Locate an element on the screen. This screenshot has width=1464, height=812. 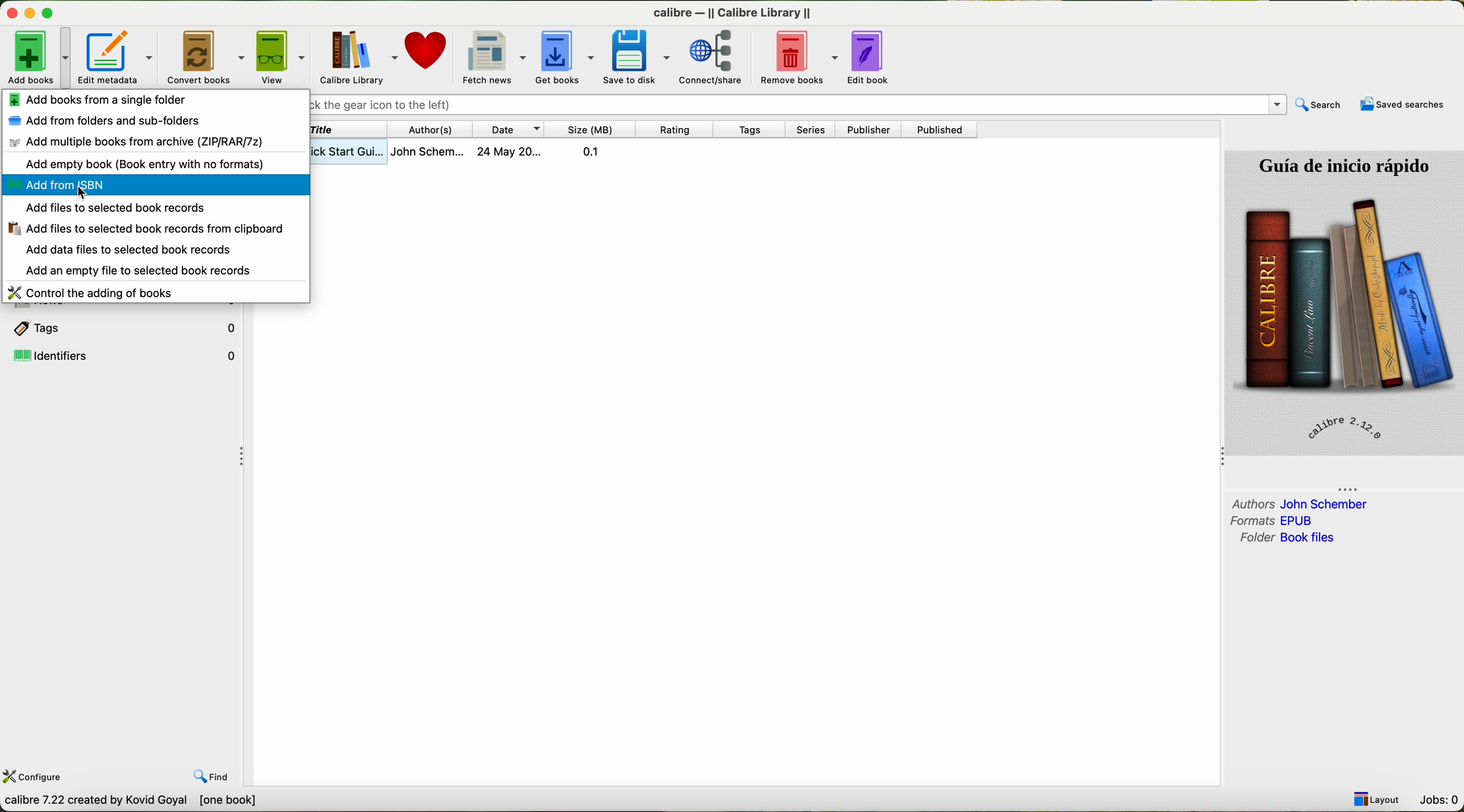
remove books is located at coordinates (795, 57).